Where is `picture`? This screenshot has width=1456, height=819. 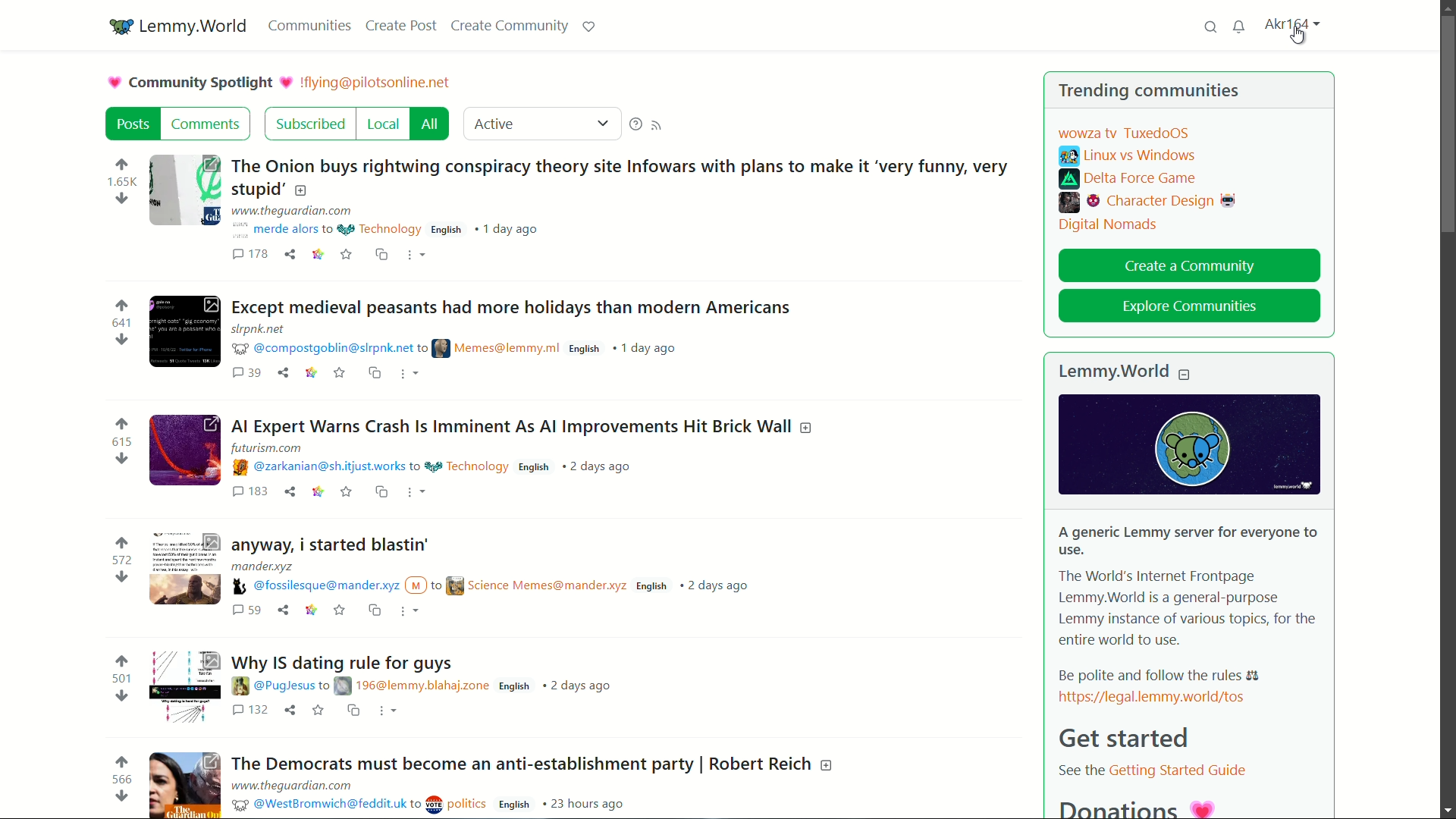
picture is located at coordinates (116, 83).